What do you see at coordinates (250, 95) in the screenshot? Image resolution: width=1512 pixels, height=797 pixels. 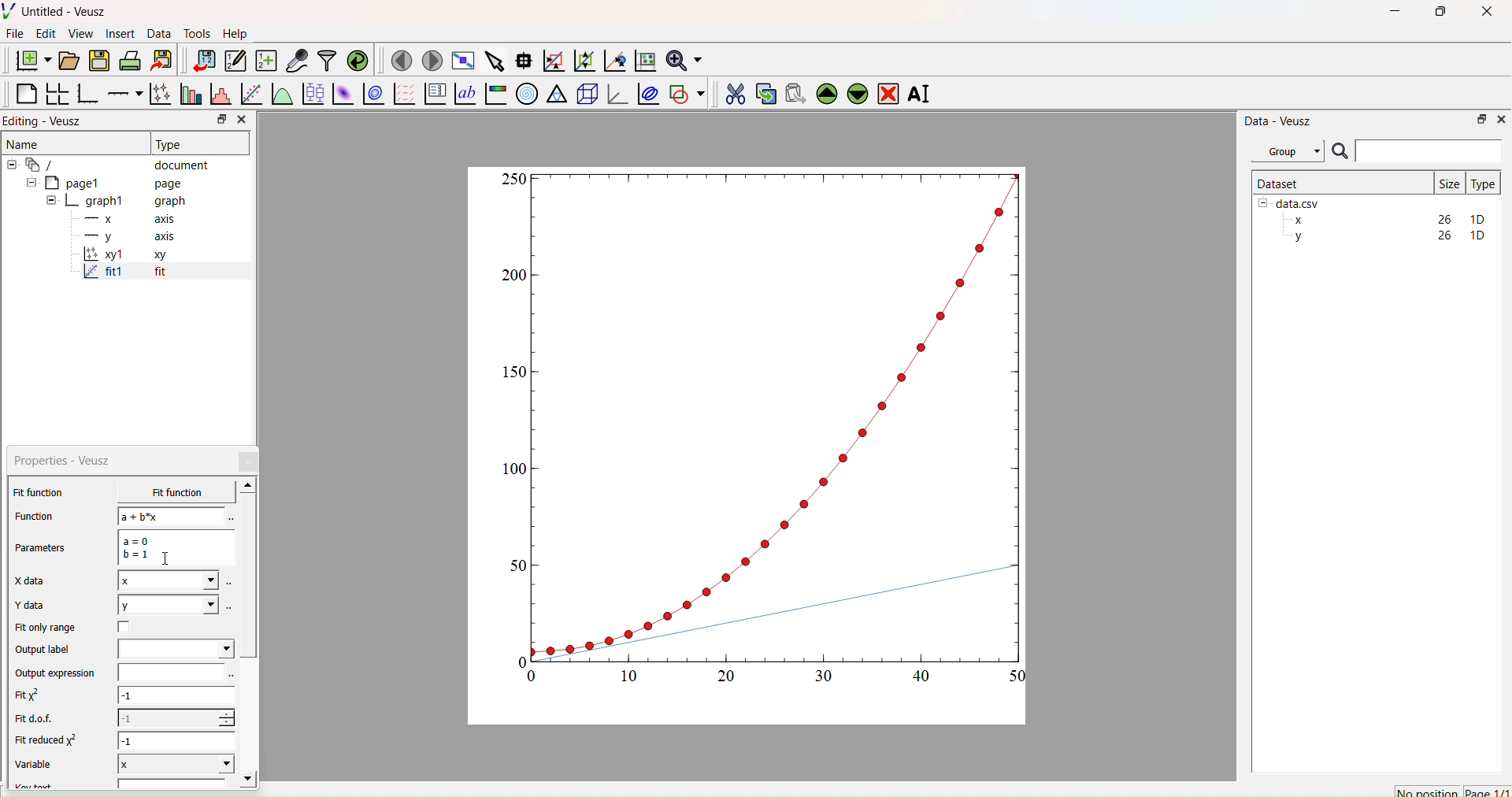 I see `Fit a function to data` at bounding box center [250, 95].